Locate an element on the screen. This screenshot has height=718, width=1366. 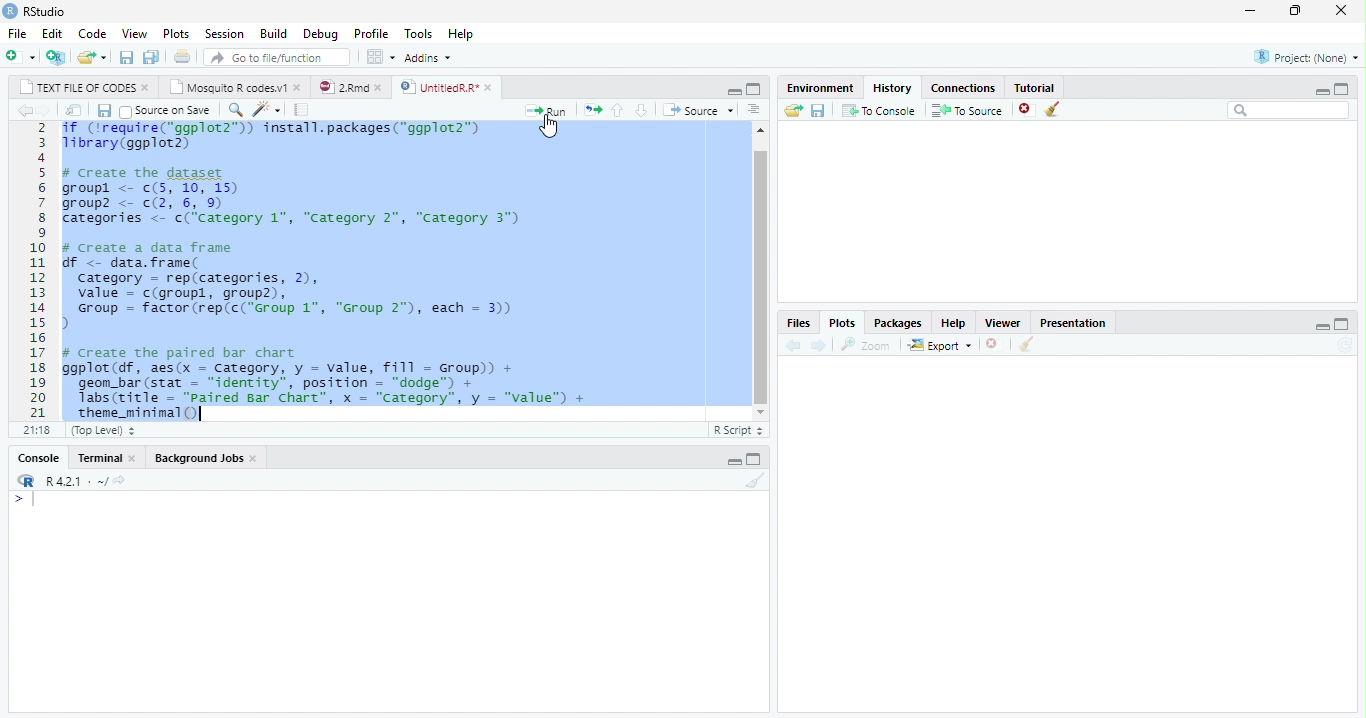
console is located at coordinates (38, 458).